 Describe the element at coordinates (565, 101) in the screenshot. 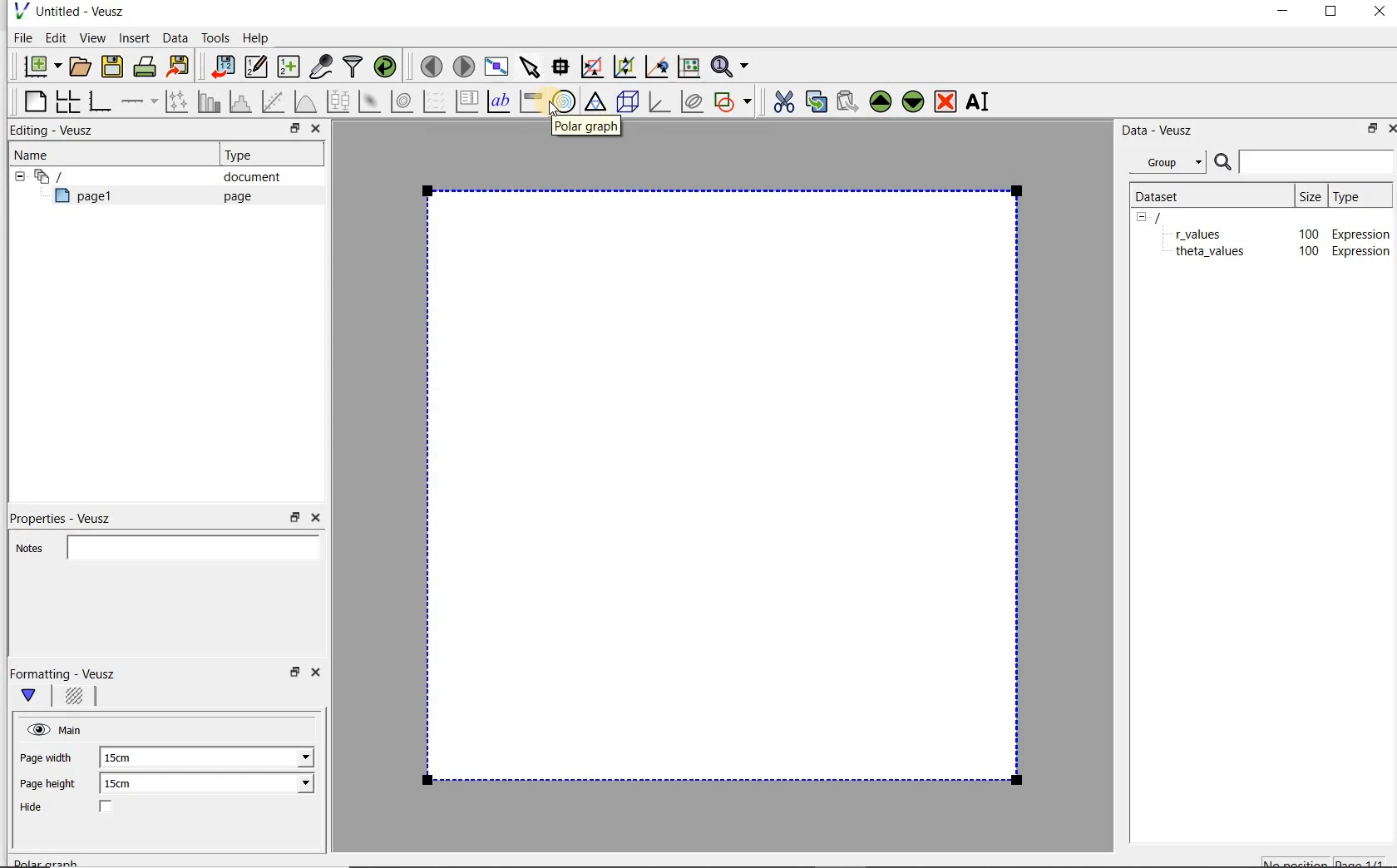

I see `polar graph` at that location.